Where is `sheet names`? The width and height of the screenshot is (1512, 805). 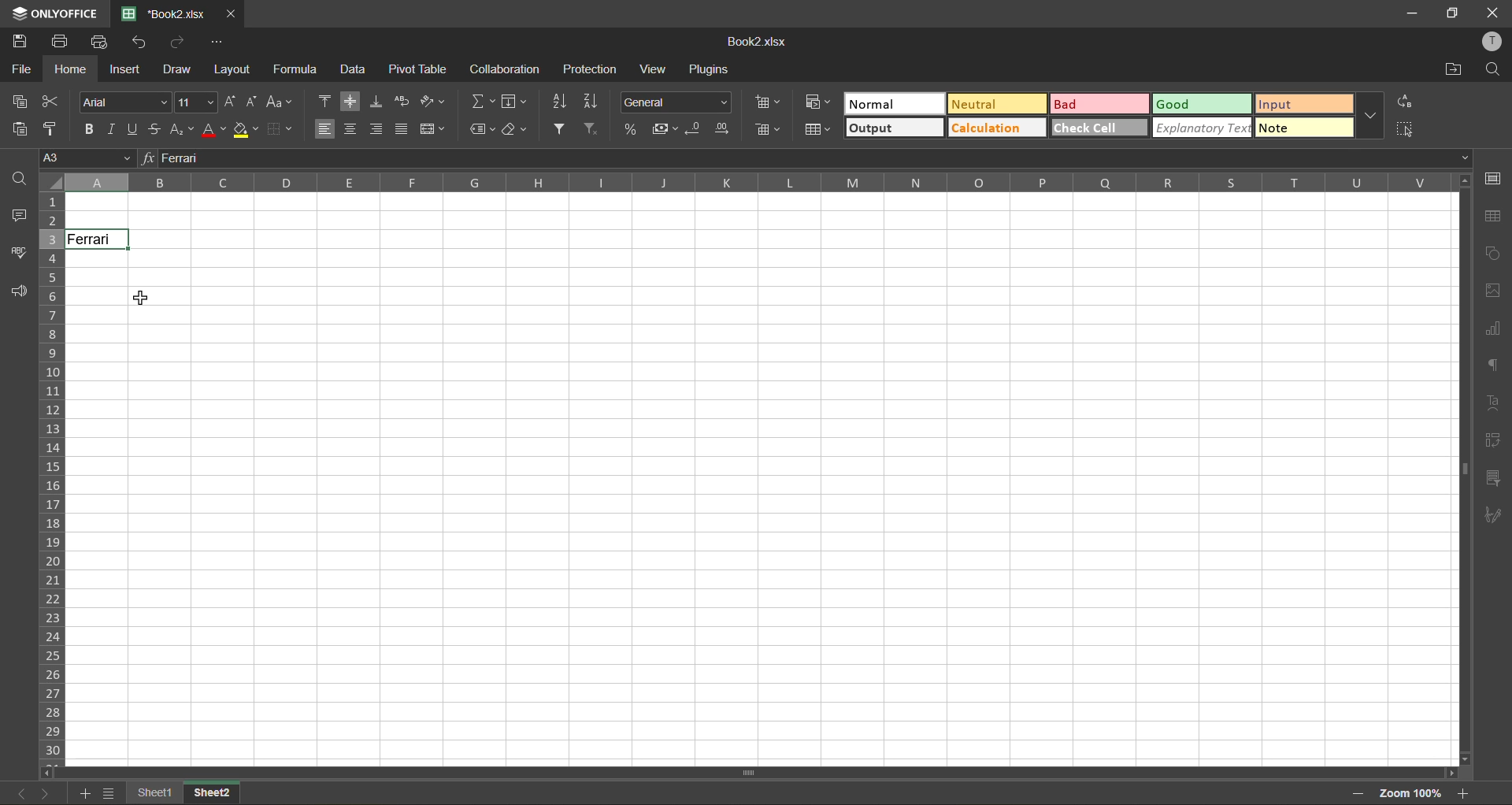
sheet names is located at coordinates (184, 795).